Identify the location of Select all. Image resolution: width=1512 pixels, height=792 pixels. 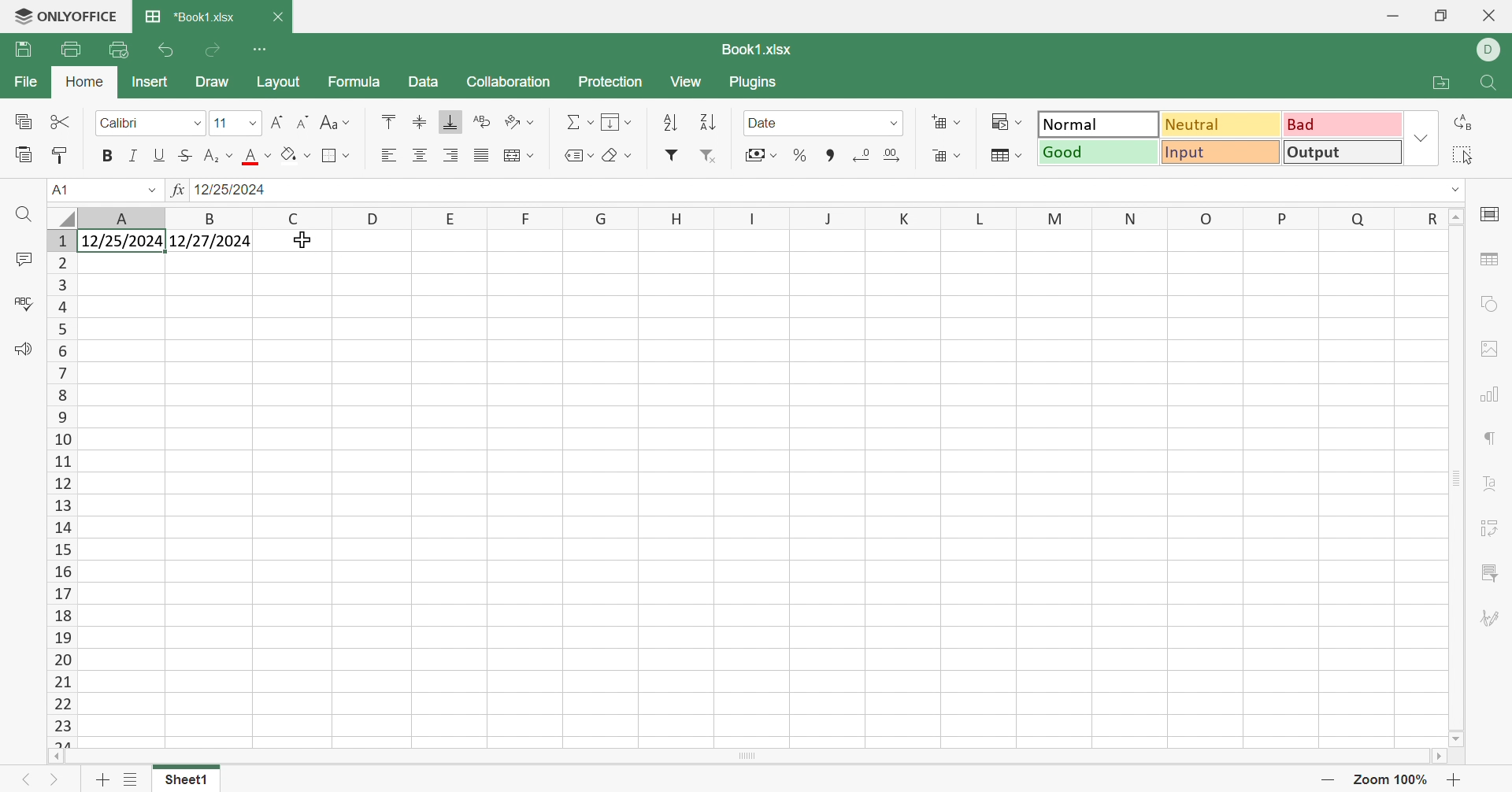
(1458, 154).